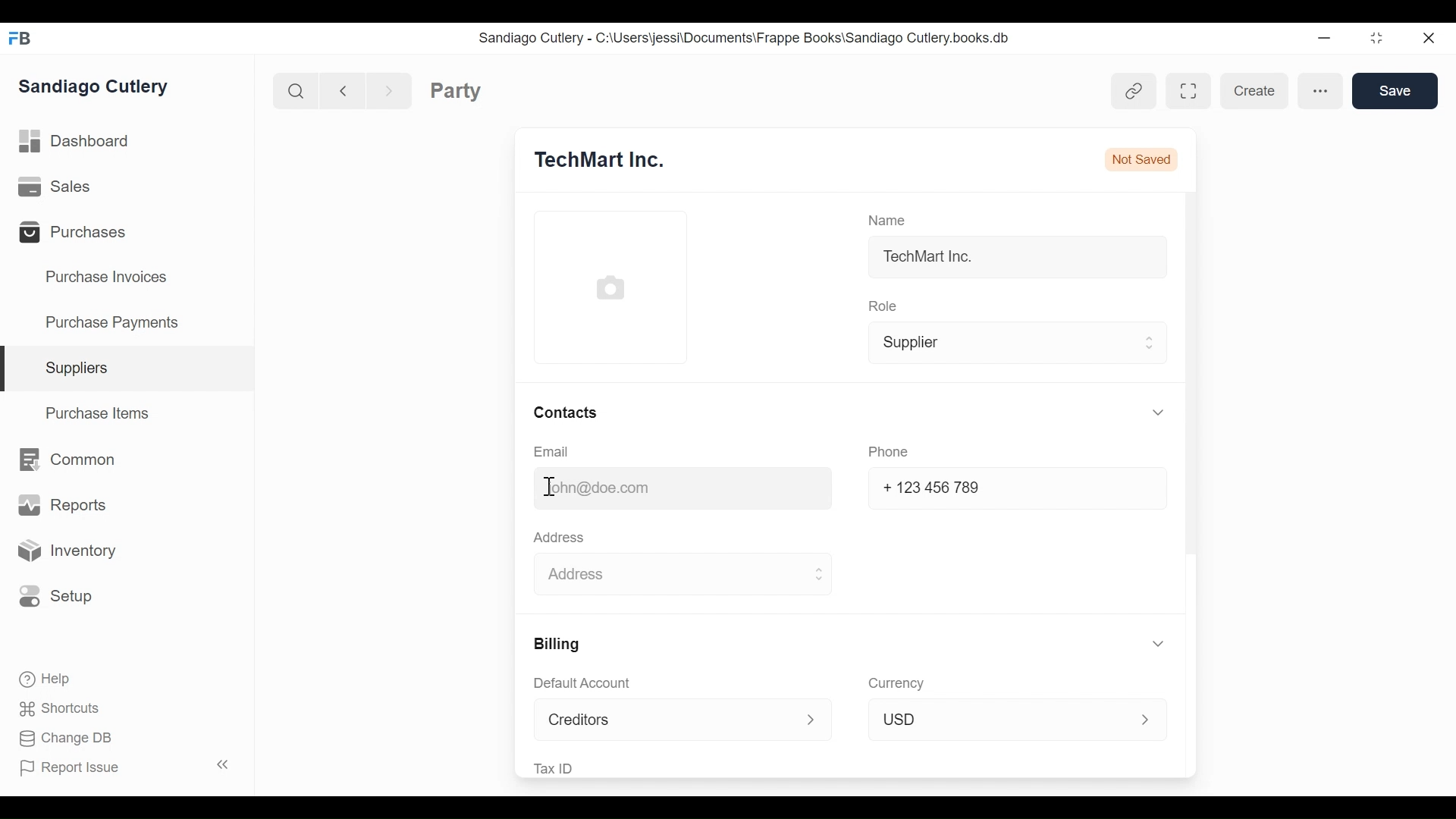 This screenshot has width=1456, height=819. I want to click on USD, so click(1013, 717).